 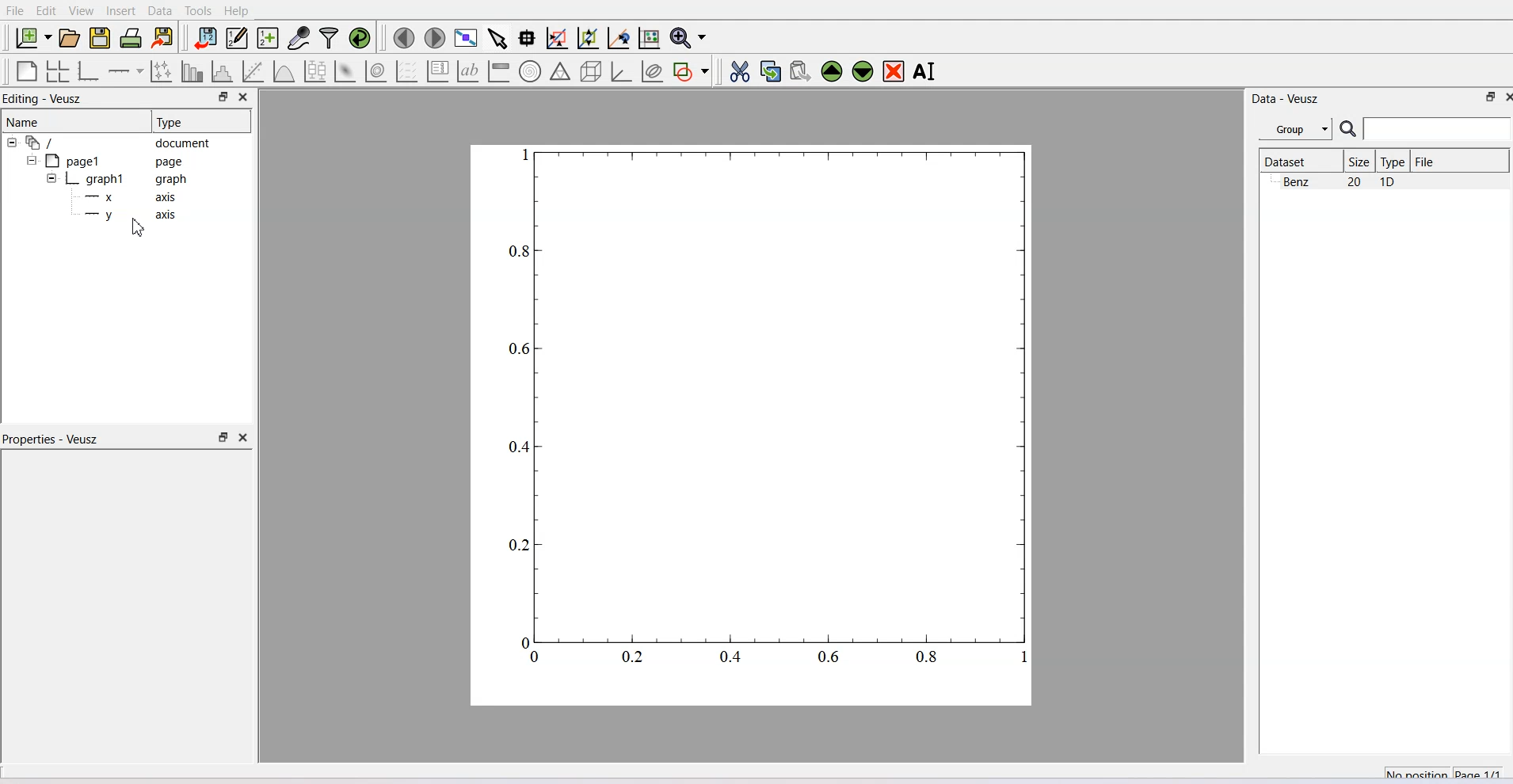 I want to click on Image Color bar, so click(x=499, y=72).